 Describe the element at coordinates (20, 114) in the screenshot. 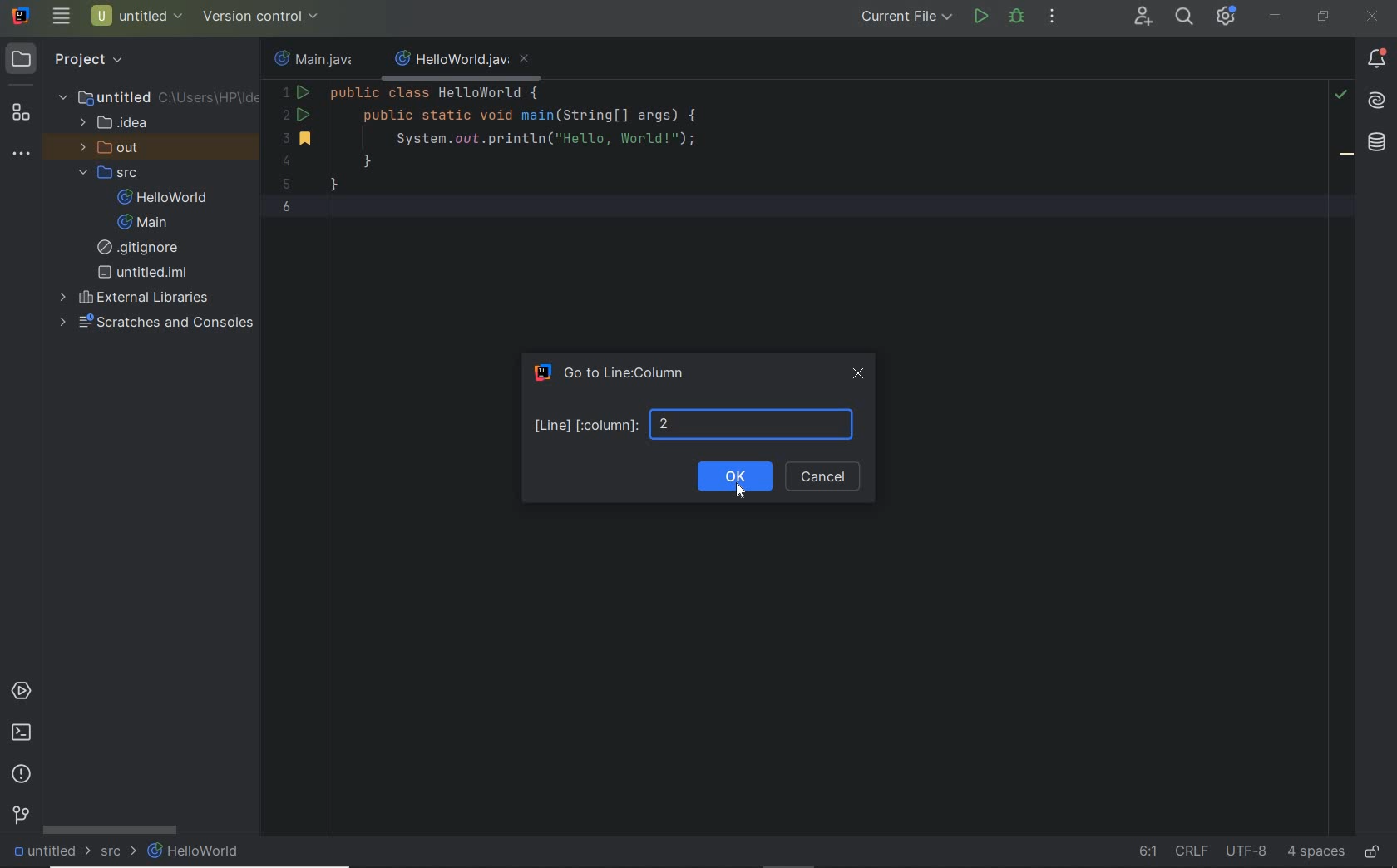

I see `structure` at that location.